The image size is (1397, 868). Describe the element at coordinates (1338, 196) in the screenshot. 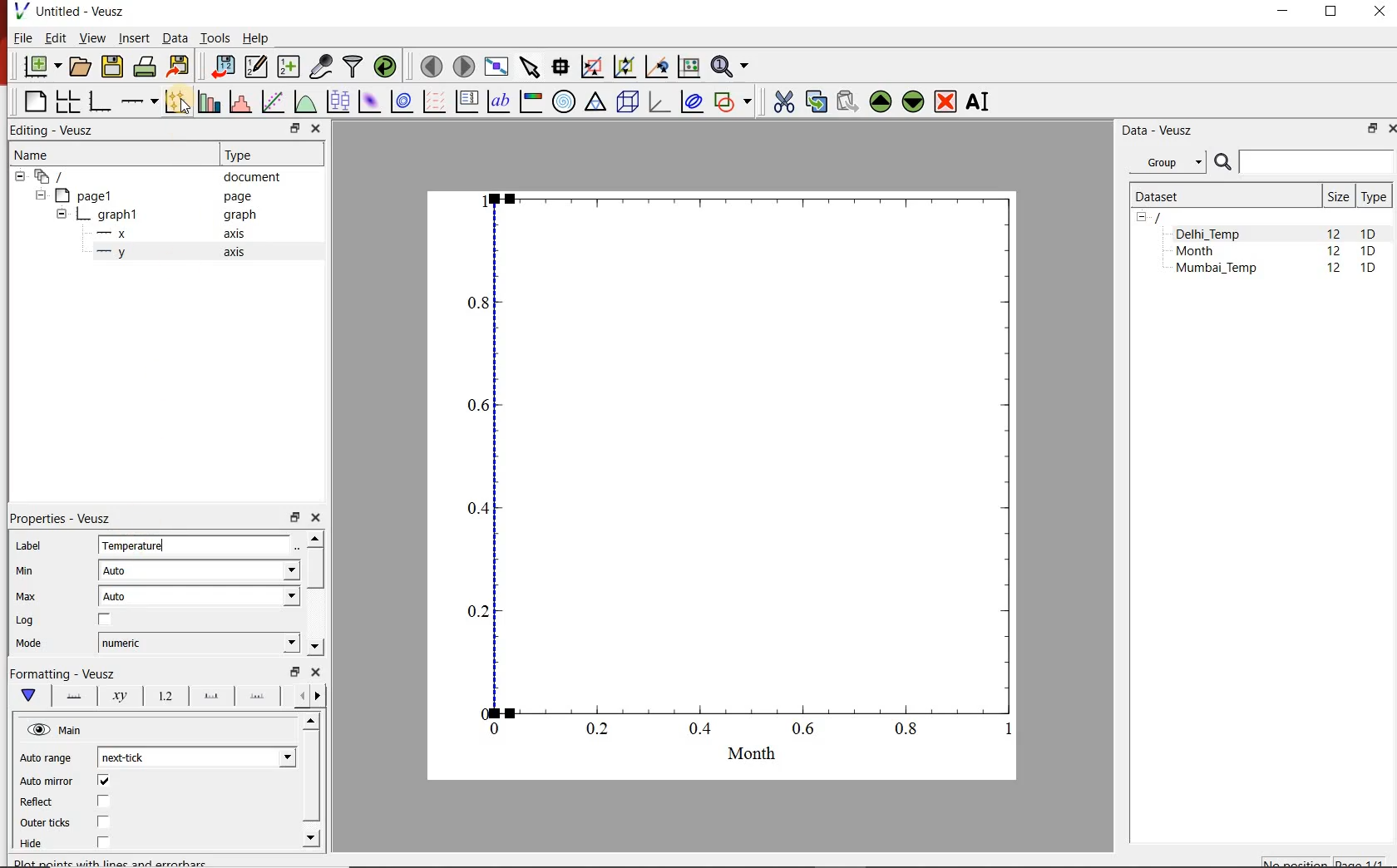

I see `Size` at that location.